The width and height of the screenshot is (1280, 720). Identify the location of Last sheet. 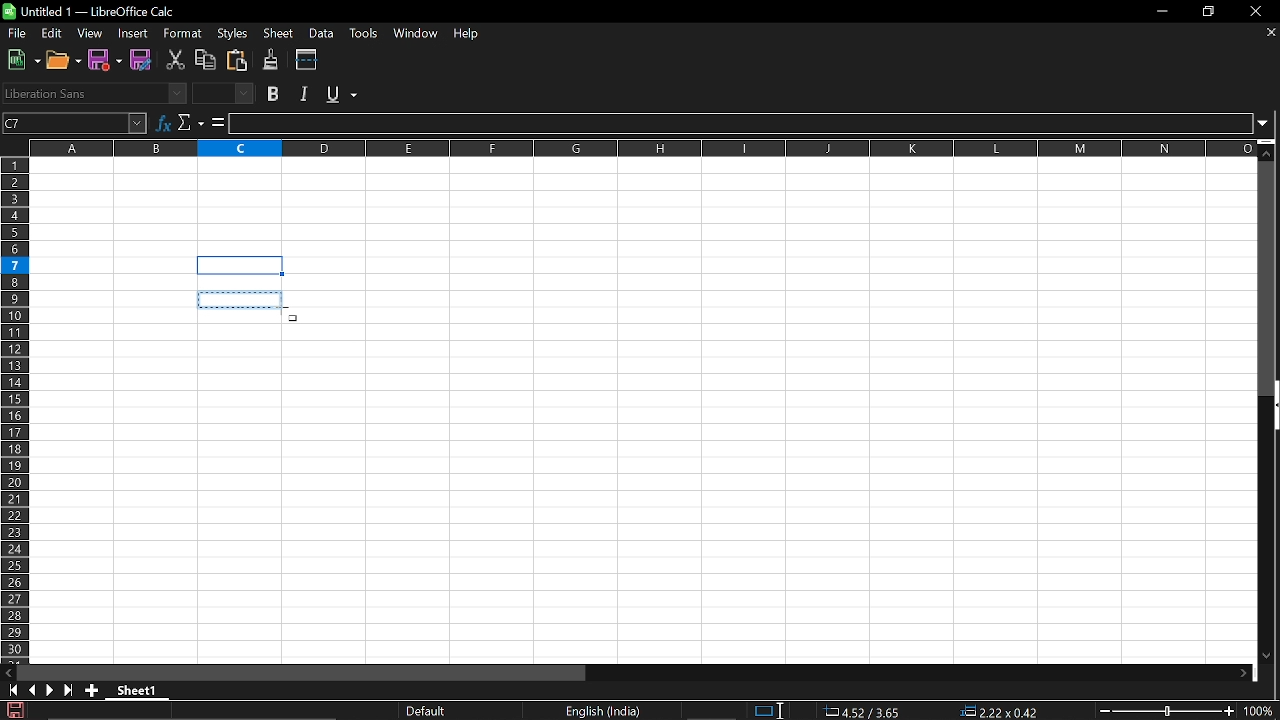
(69, 690).